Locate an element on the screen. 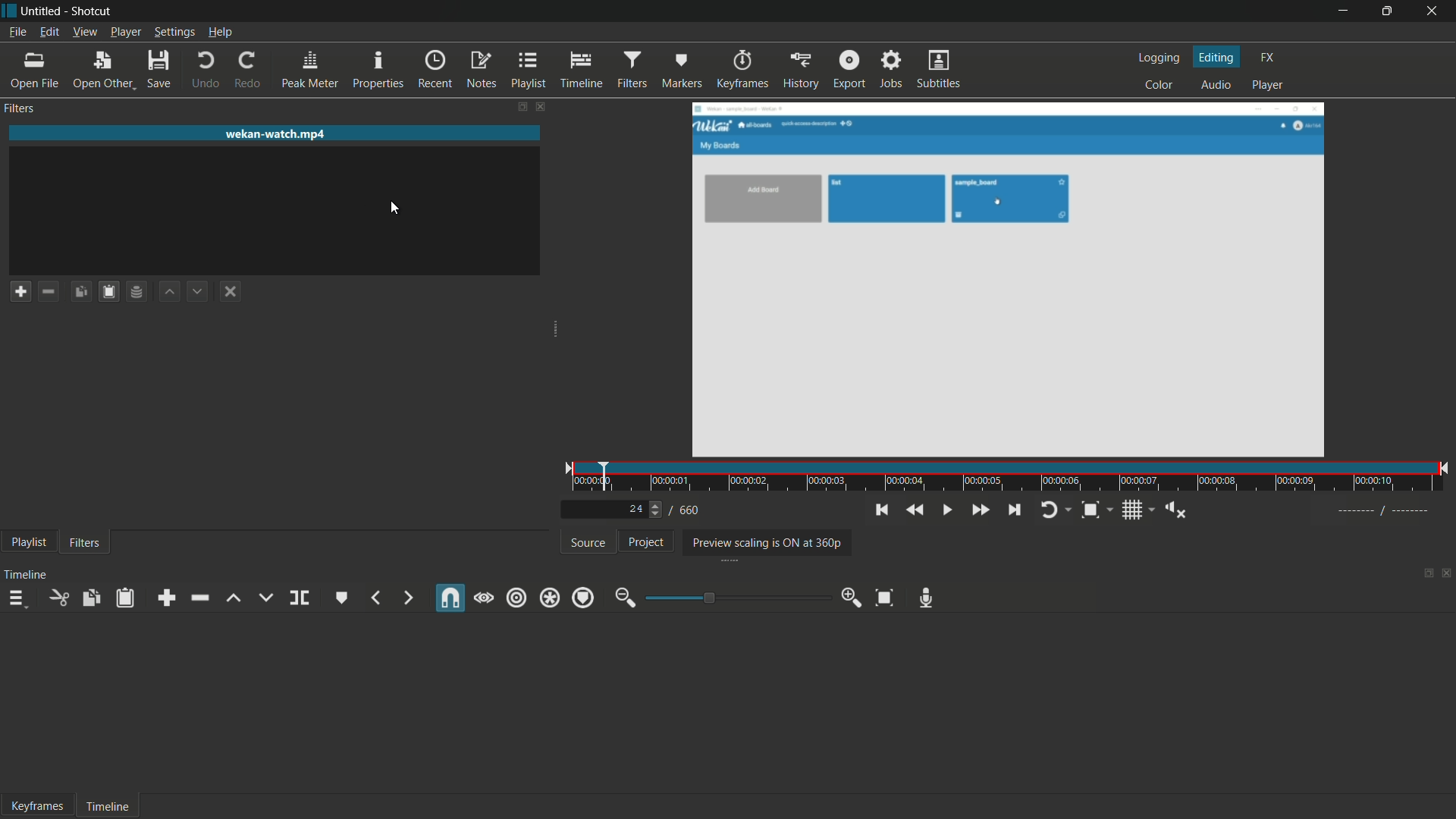 This screenshot has height=819, width=1456. snap is located at coordinates (450, 600).